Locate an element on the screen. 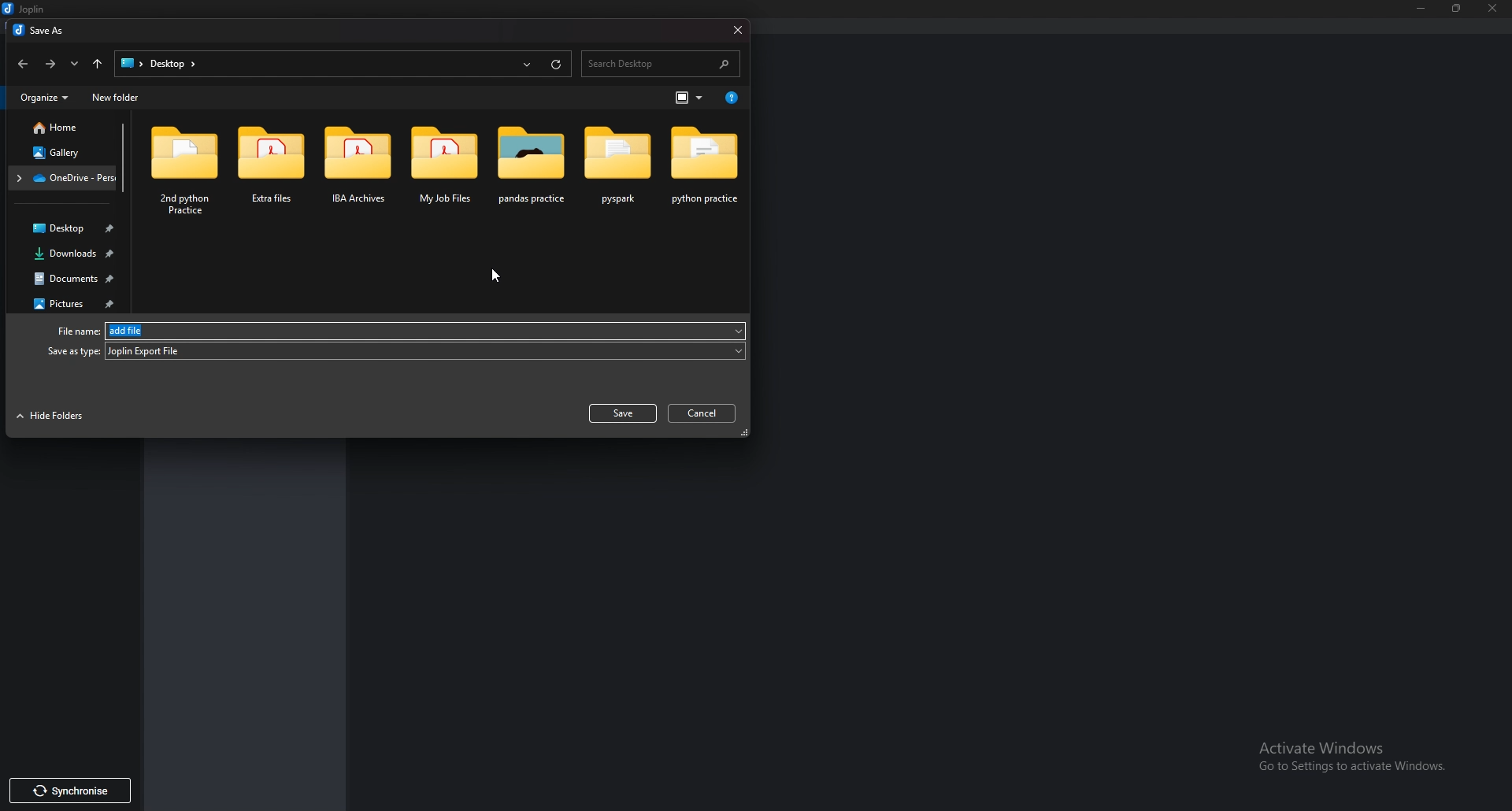  cursor is located at coordinates (502, 272).